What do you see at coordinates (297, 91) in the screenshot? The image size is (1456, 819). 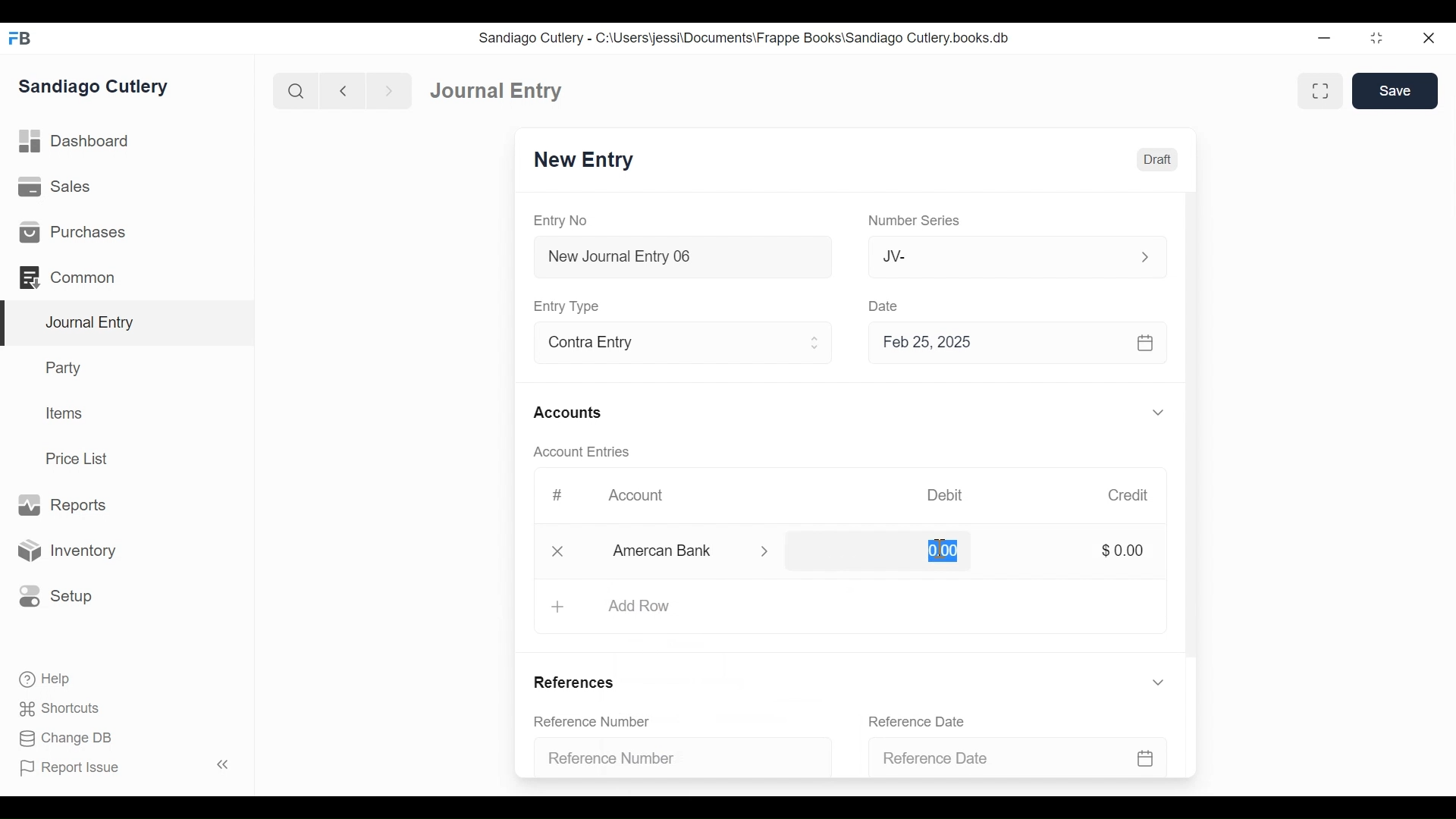 I see `Search` at bounding box center [297, 91].